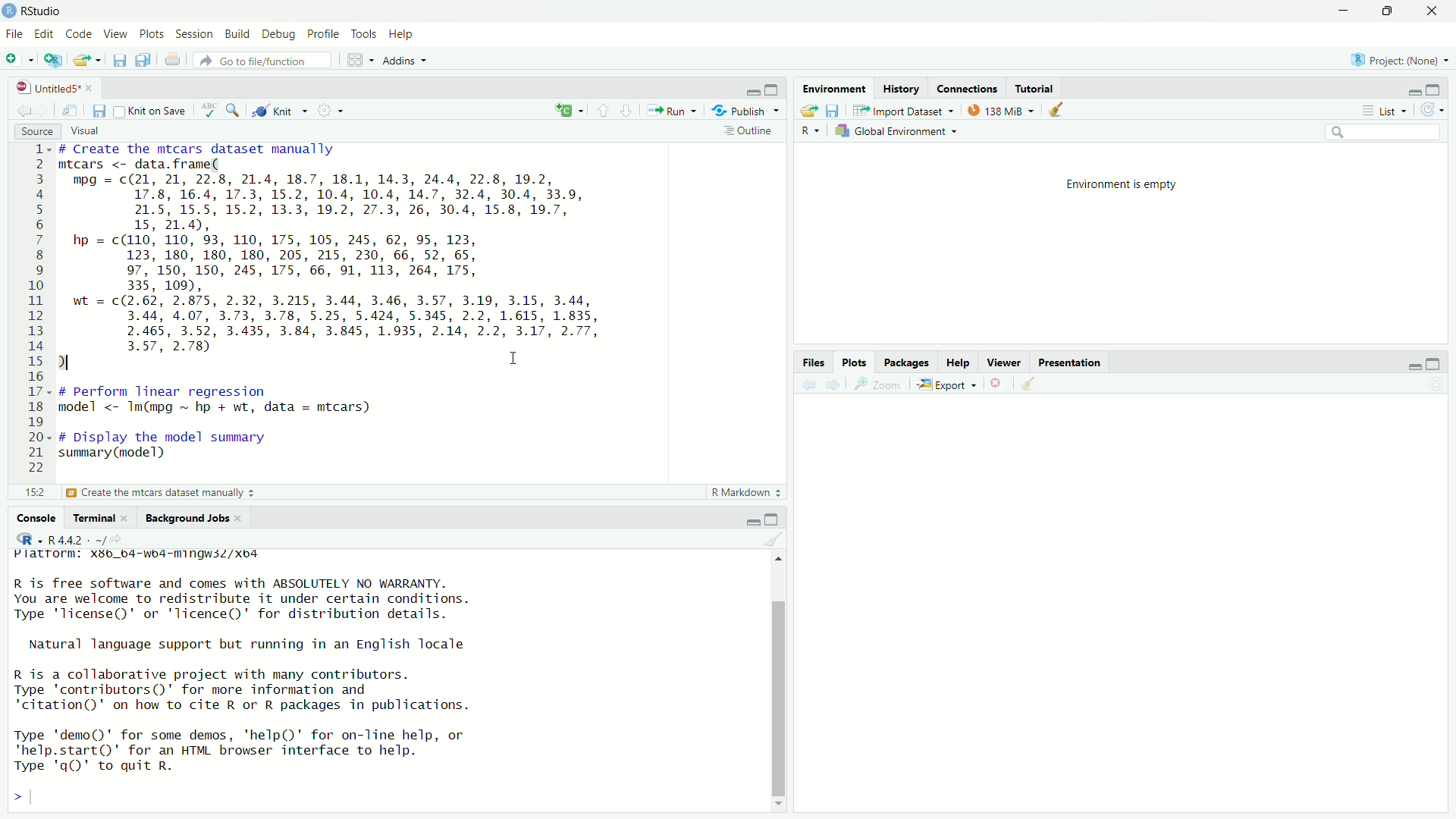  What do you see at coordinates (43, 112) in the screenshot?
I see `go forward` at bounding box center [43, 112].